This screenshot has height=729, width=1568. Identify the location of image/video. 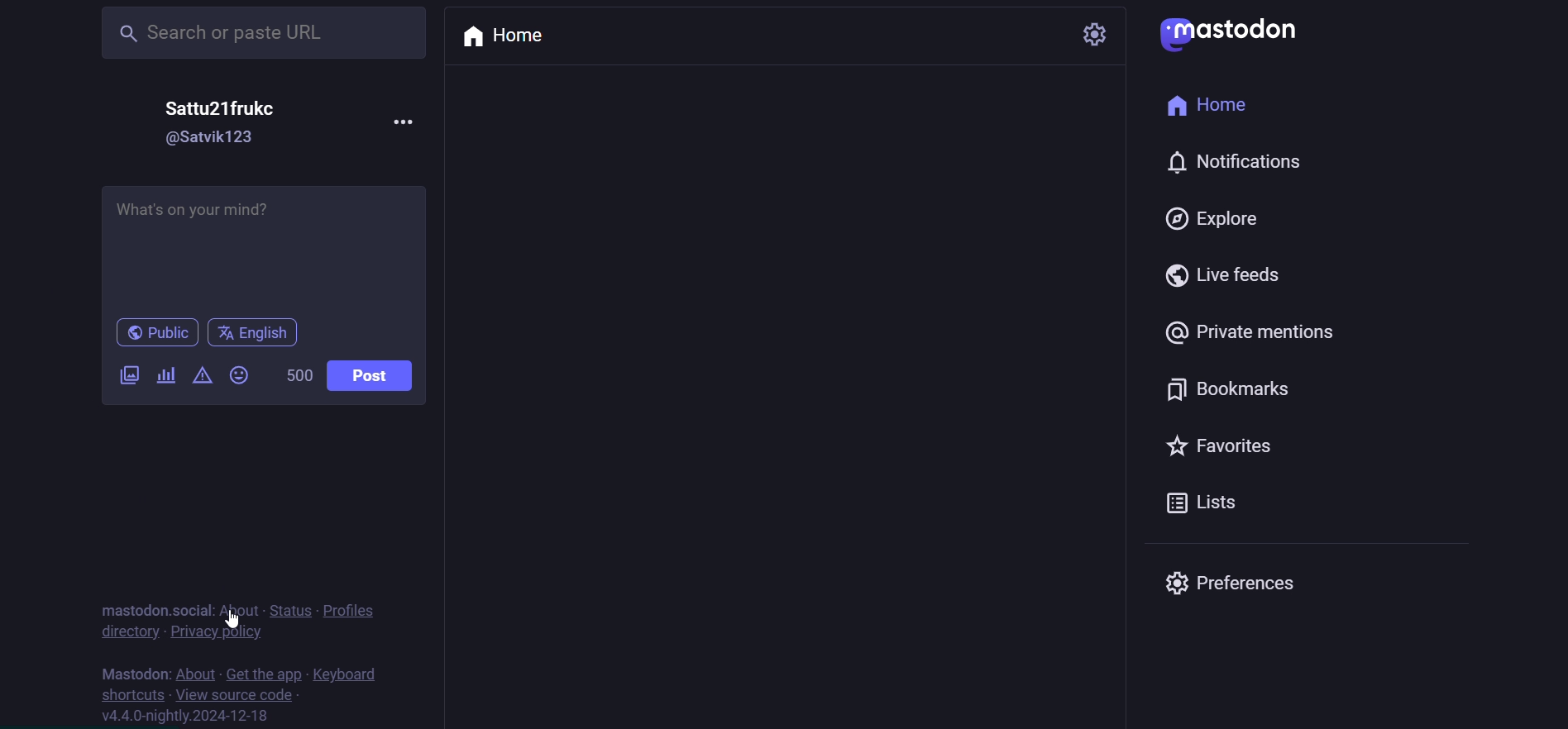
(127, 374).